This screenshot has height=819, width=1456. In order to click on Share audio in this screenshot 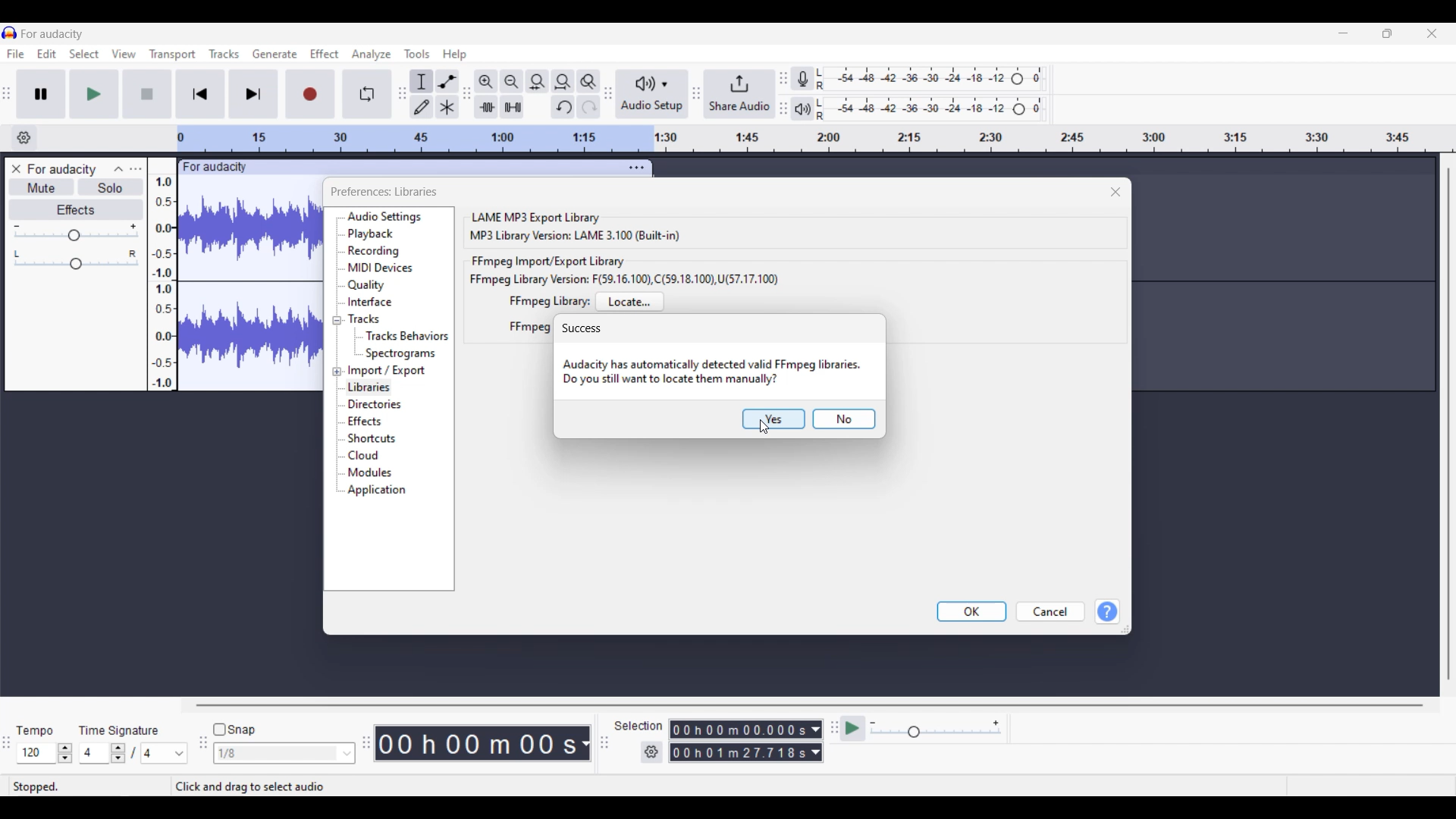, I will do `click(740, 94)`.